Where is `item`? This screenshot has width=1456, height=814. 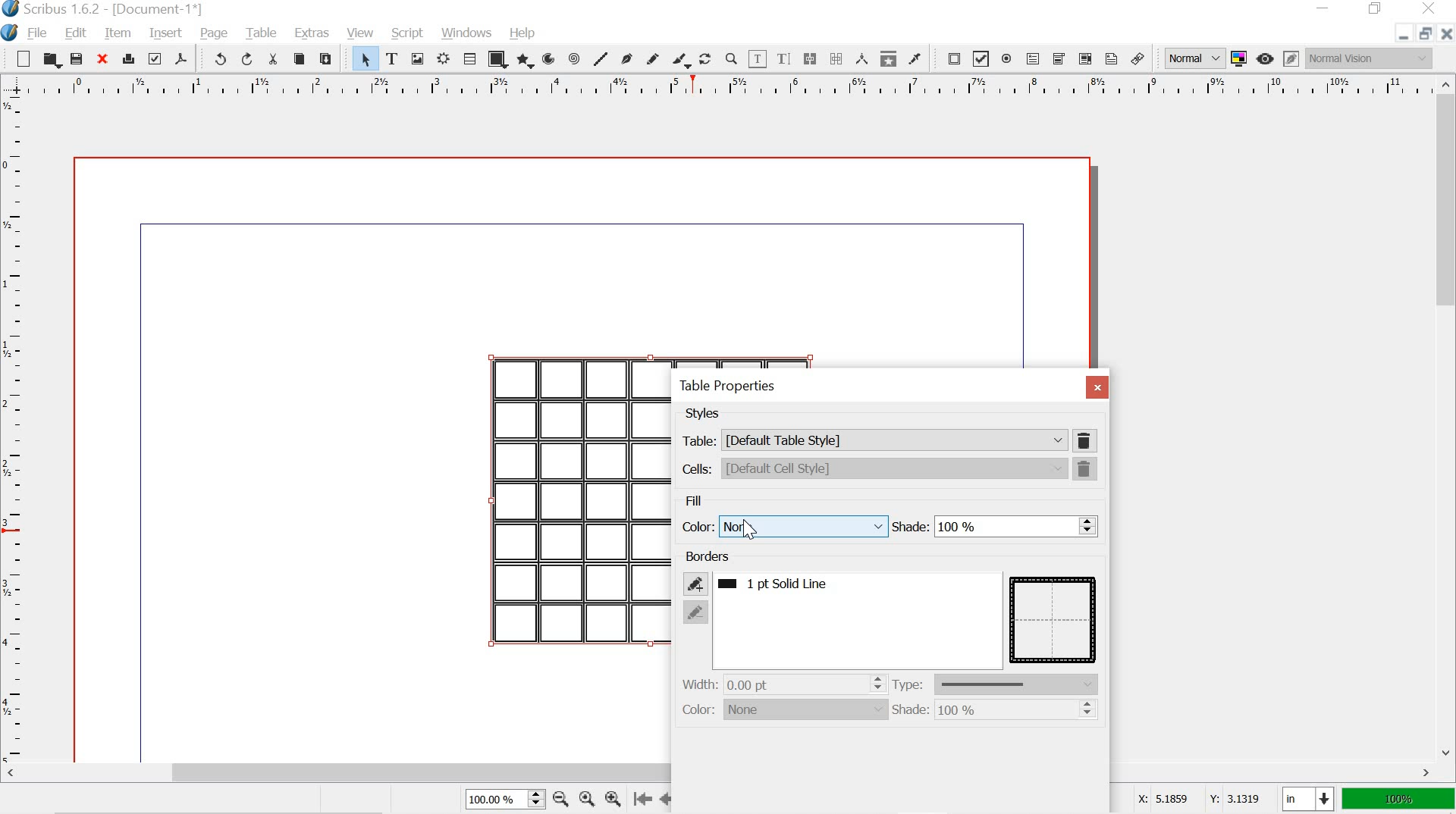
item is located at coordinates (118, 34).